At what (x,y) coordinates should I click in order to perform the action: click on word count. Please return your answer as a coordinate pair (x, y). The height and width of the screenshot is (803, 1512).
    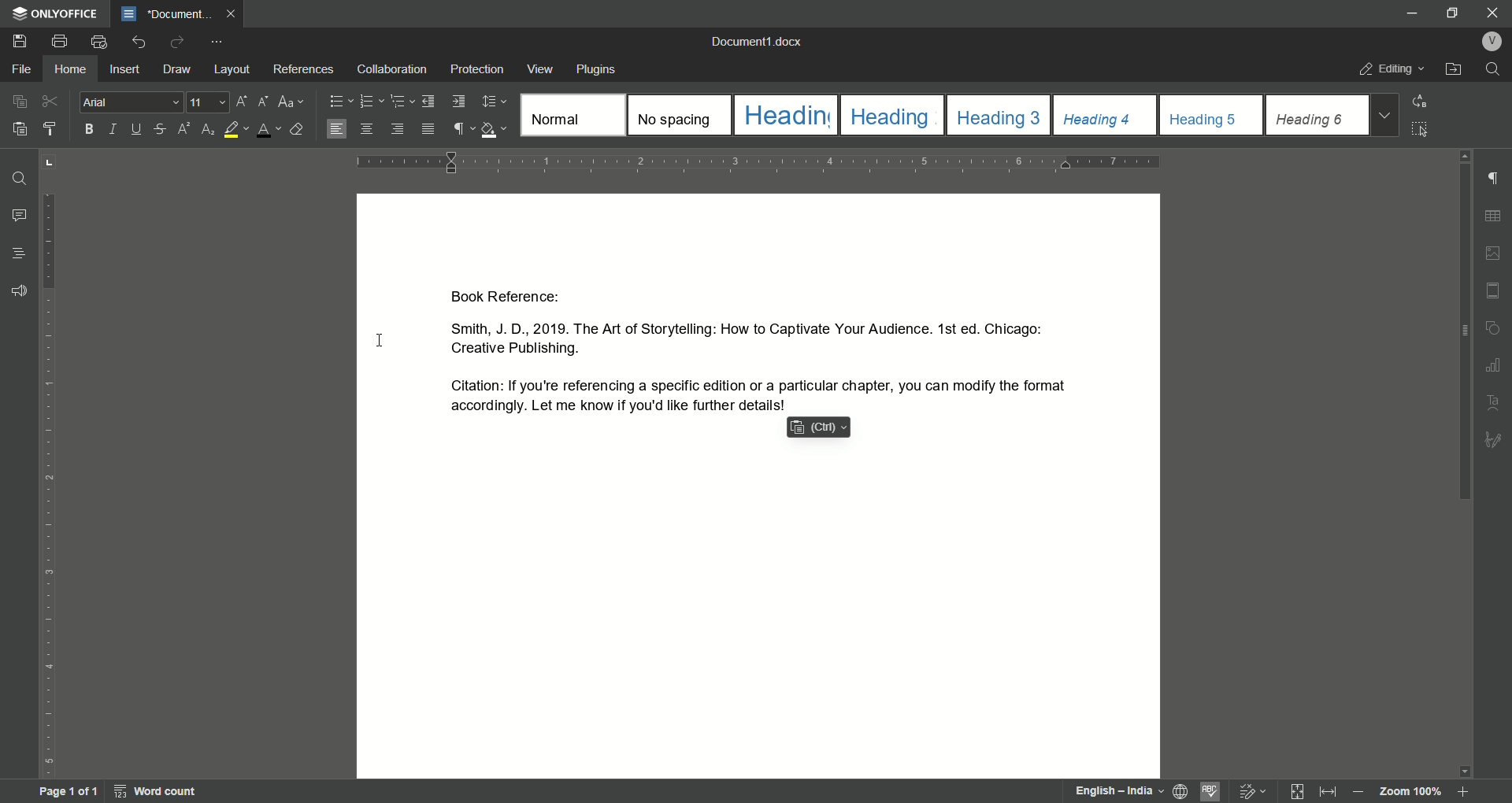
    Looking at the image, I should click on (157, 791).